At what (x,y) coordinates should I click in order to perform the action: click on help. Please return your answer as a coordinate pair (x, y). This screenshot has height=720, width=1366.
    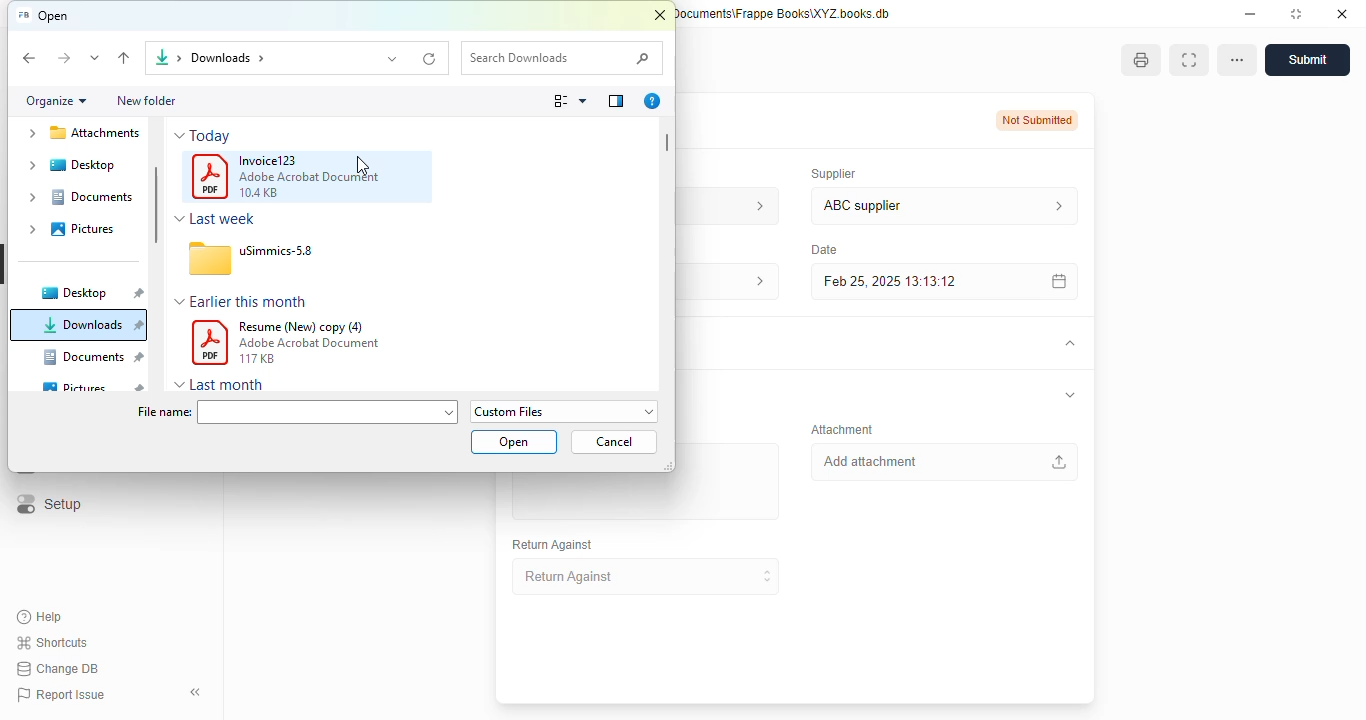
    Looking at the image, I should click on (40, 617).